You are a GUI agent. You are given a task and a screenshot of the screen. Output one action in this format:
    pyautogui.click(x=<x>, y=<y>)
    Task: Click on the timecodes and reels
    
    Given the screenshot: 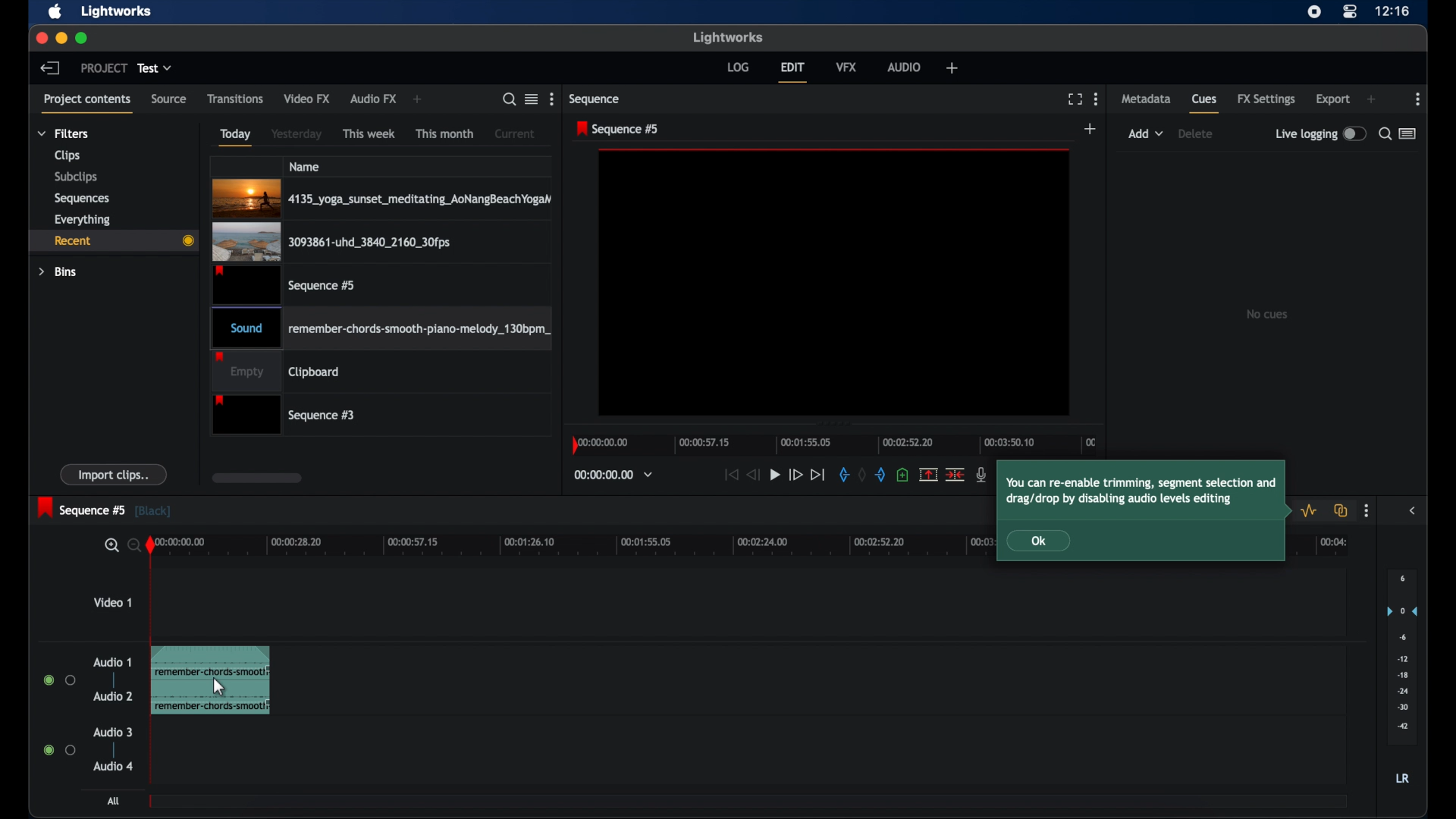 What is the action you would take?
    pyautogui.click(x=613, y=475)
    